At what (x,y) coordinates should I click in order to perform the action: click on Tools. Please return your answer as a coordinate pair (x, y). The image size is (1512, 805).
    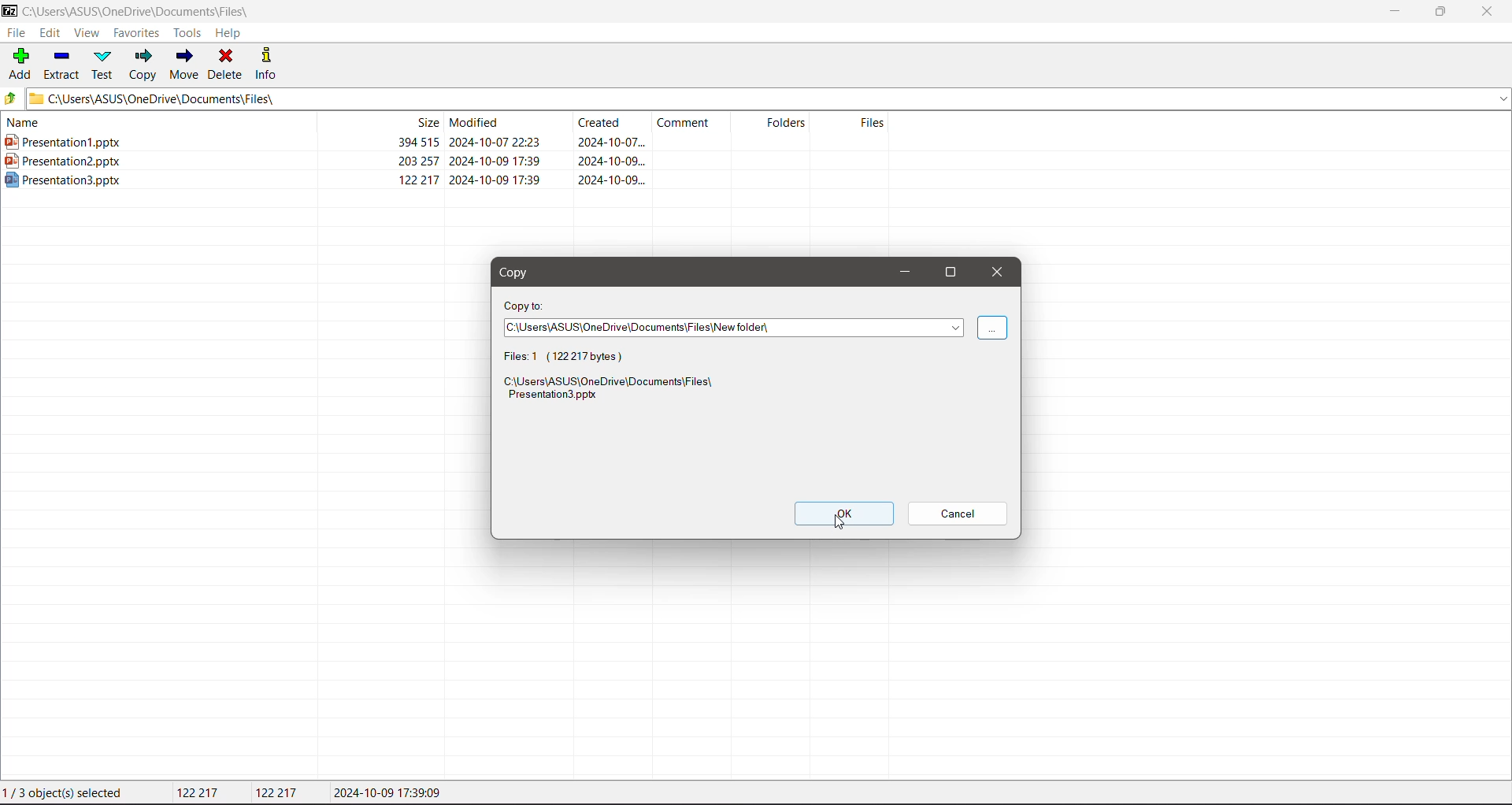
    Looking at the image, I should click on (186, 33).